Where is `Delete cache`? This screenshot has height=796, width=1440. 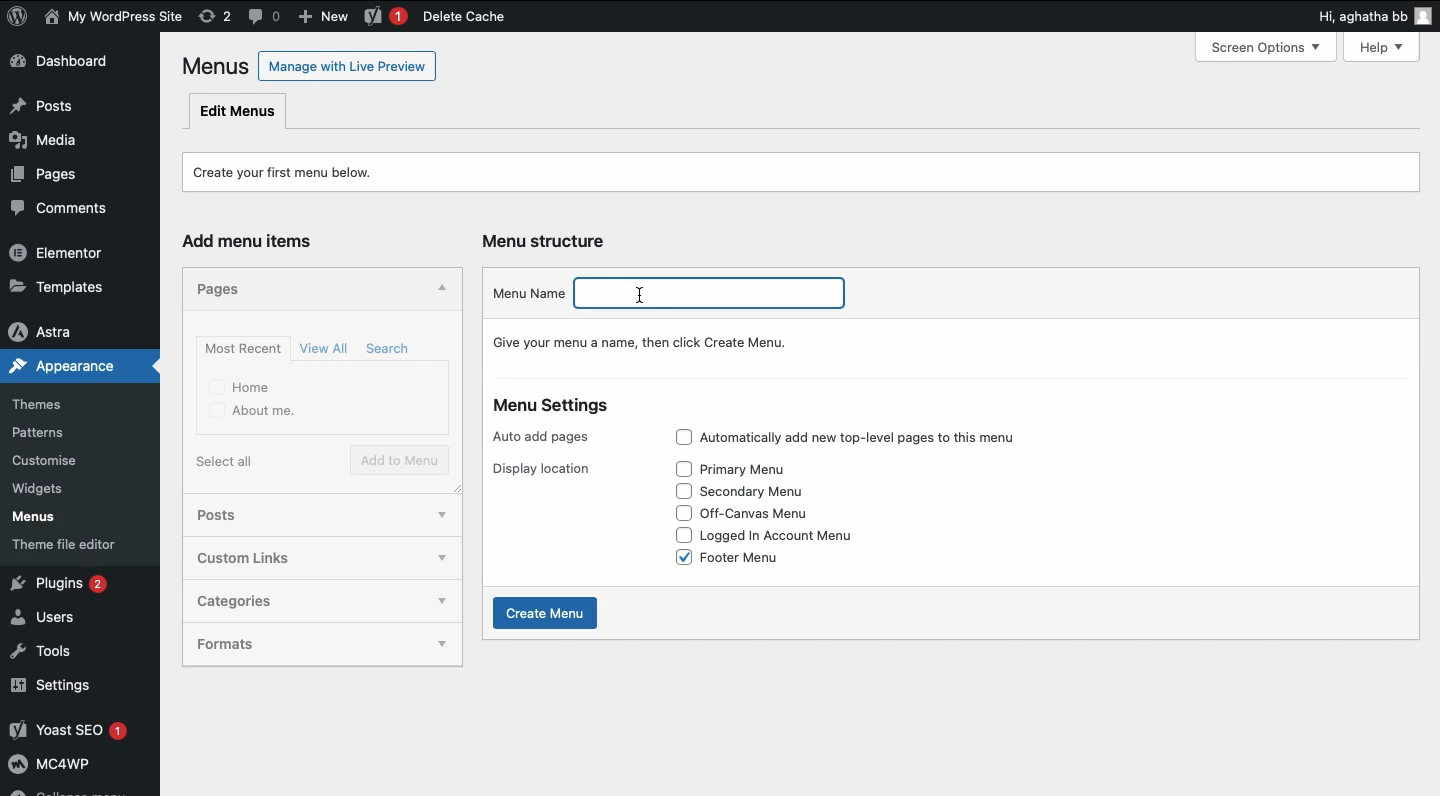
Delete cache is located at coordinates (463, 17).